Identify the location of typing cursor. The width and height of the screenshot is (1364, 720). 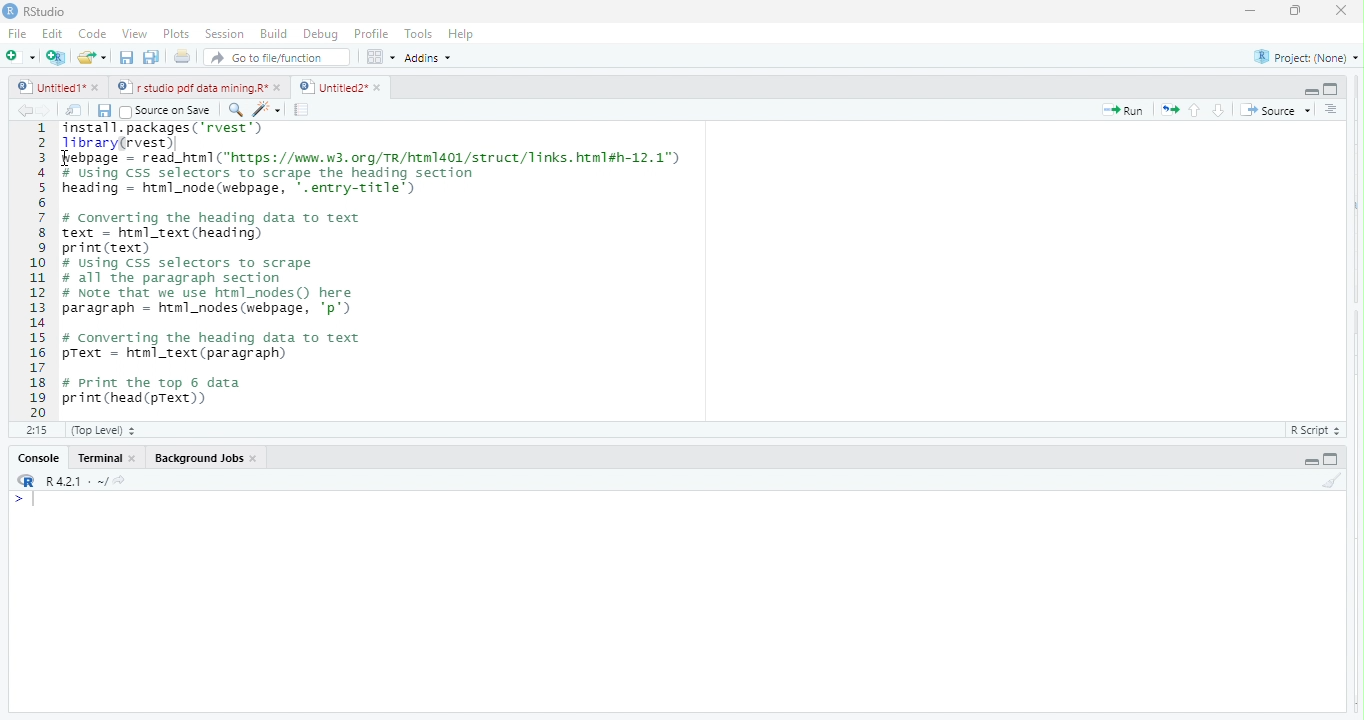
(178, 144).